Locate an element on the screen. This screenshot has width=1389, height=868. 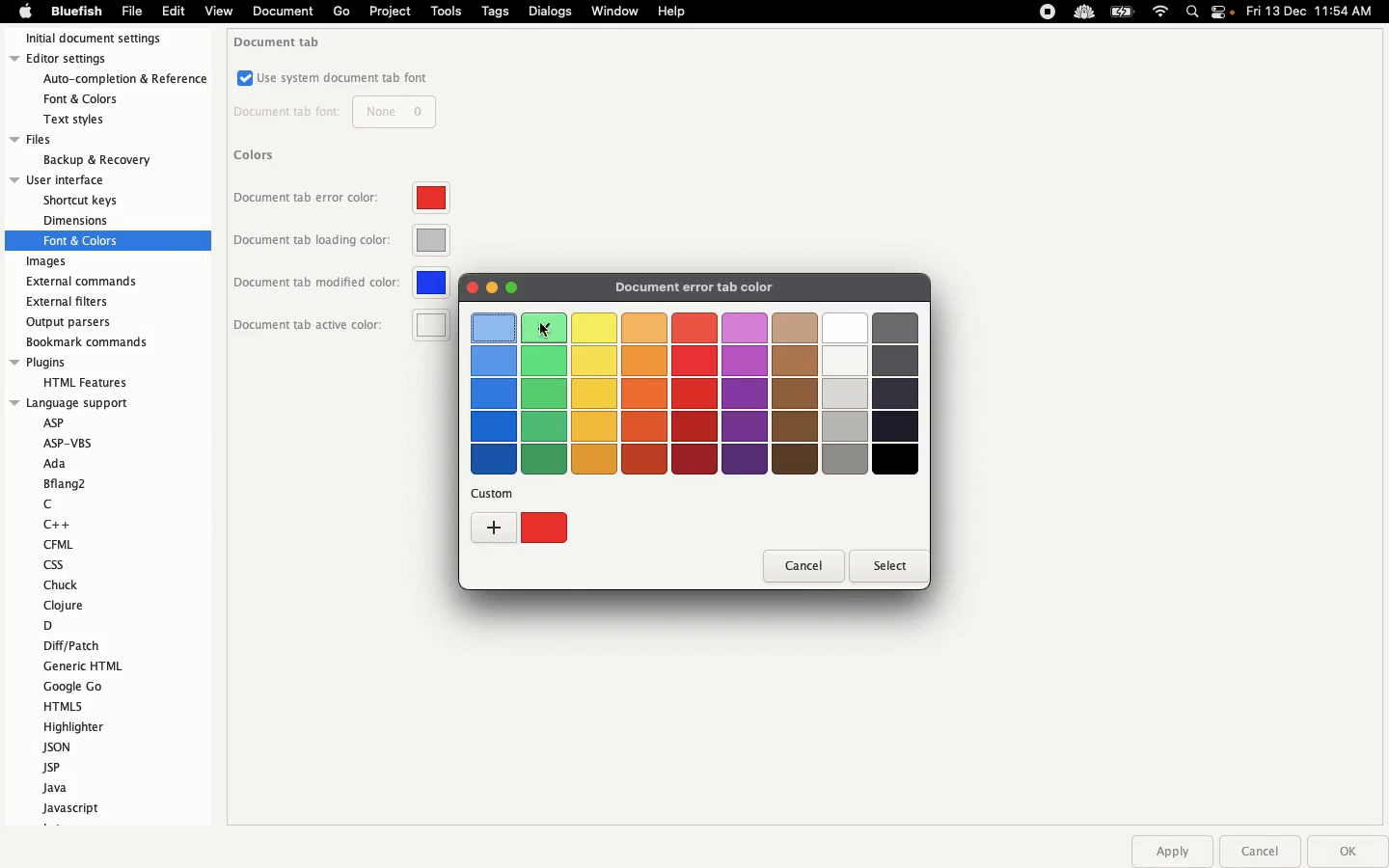
cursor is located at coordinates (547, 332).